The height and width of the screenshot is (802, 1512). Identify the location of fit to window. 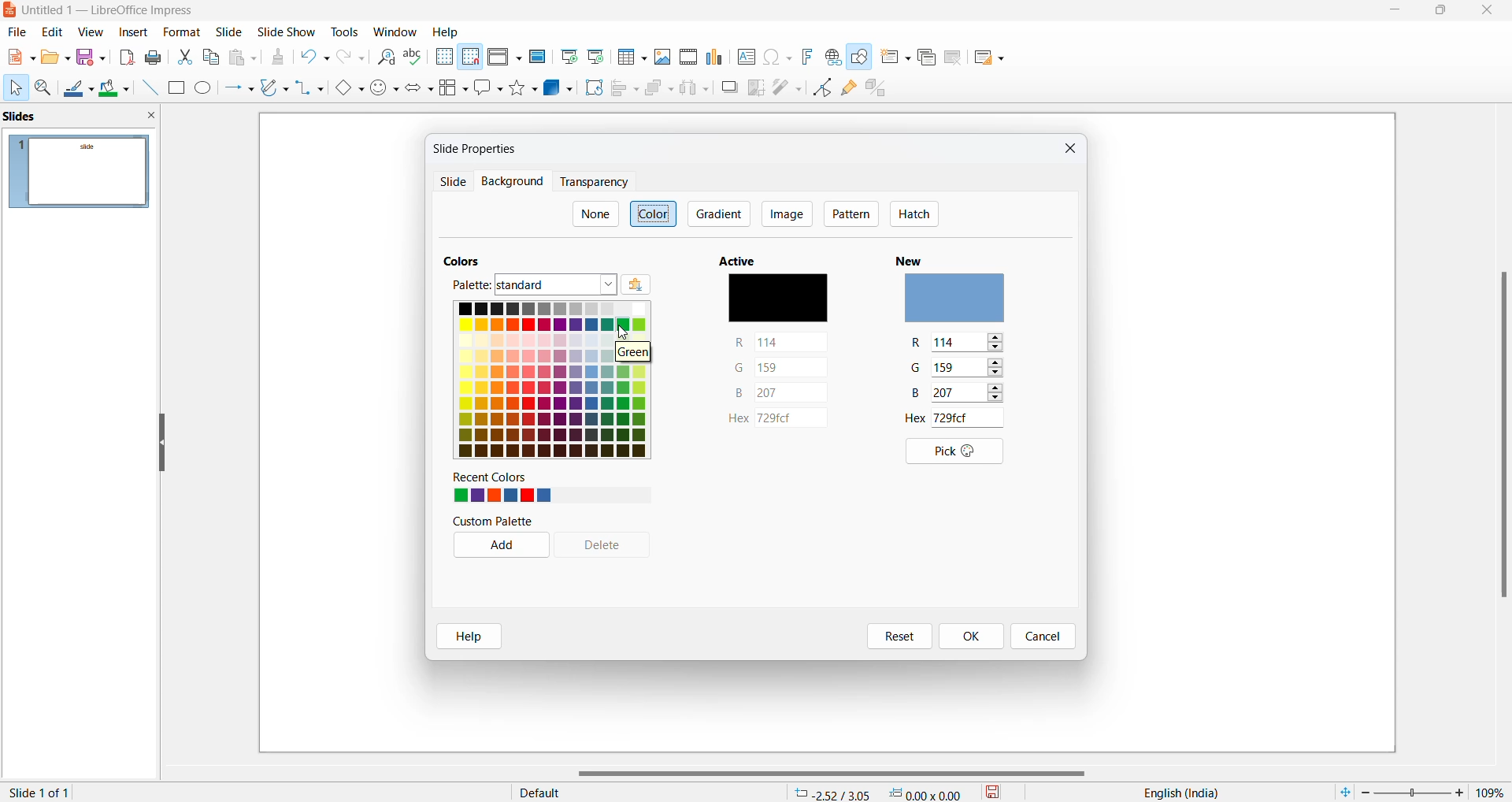
(1344, 790).